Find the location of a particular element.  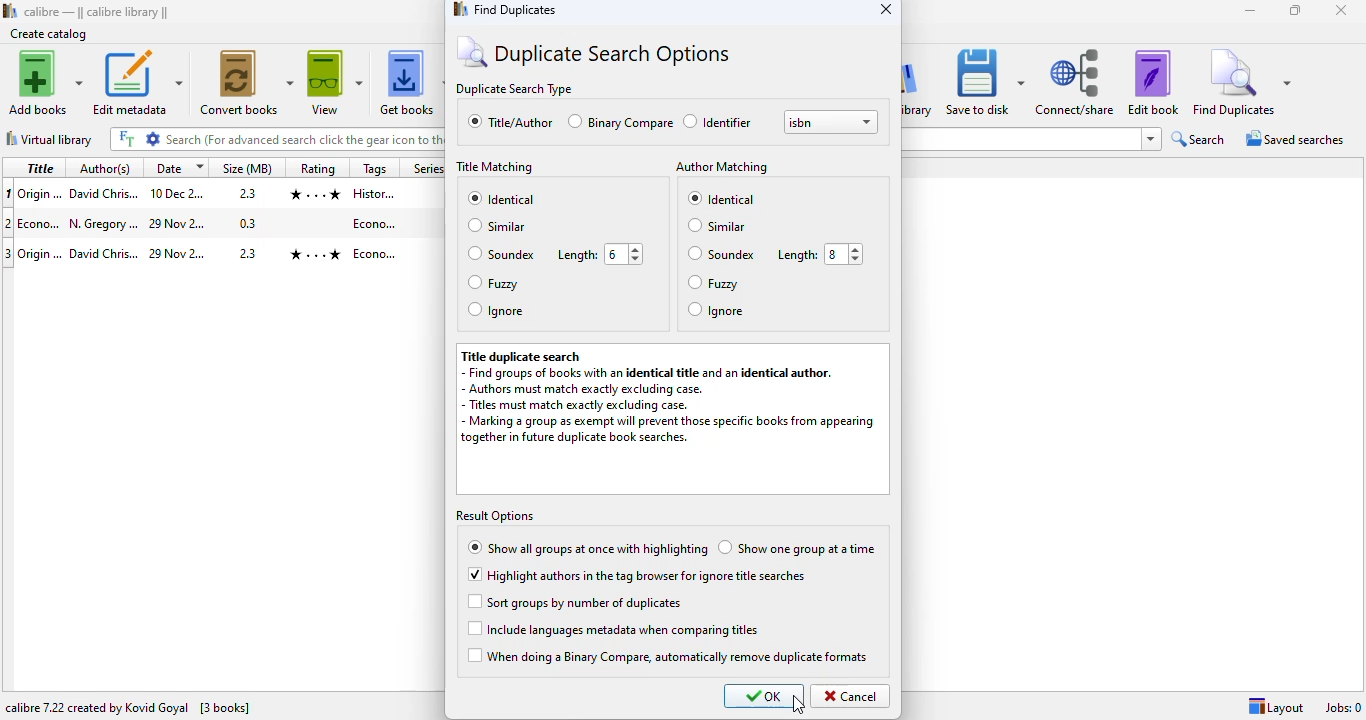

Layout is located at coordinates (1272, 706).